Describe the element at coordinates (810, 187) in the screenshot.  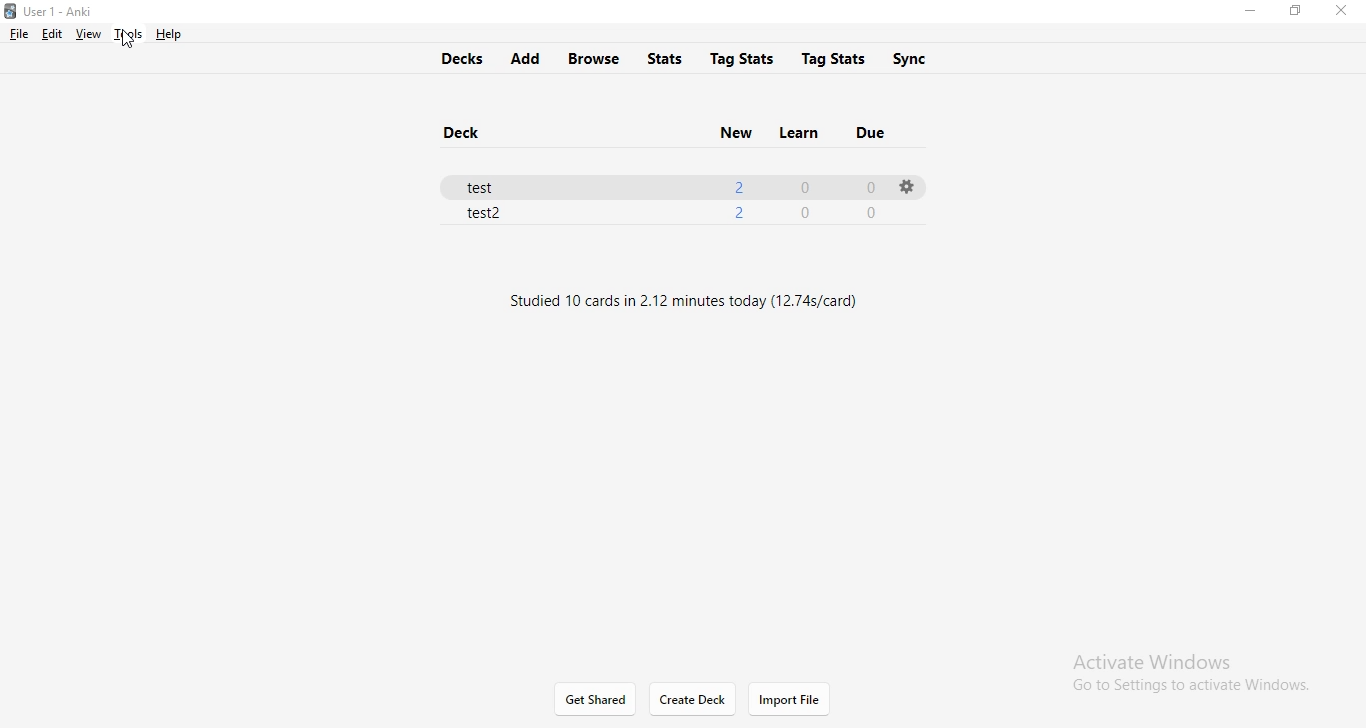
I see `0` at that location.